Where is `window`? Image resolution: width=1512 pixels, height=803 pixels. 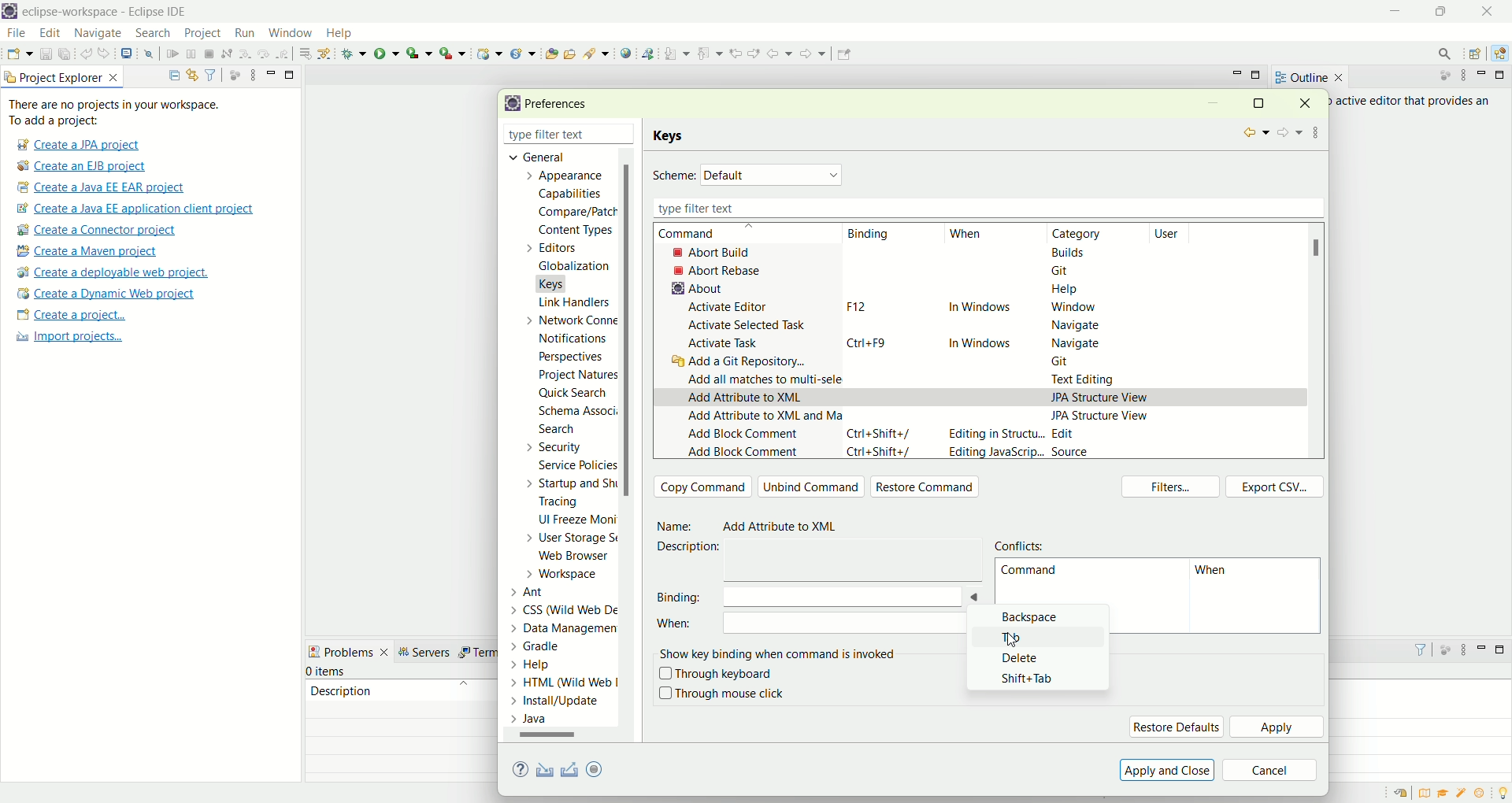
window is located at coordinates (1072, 308).